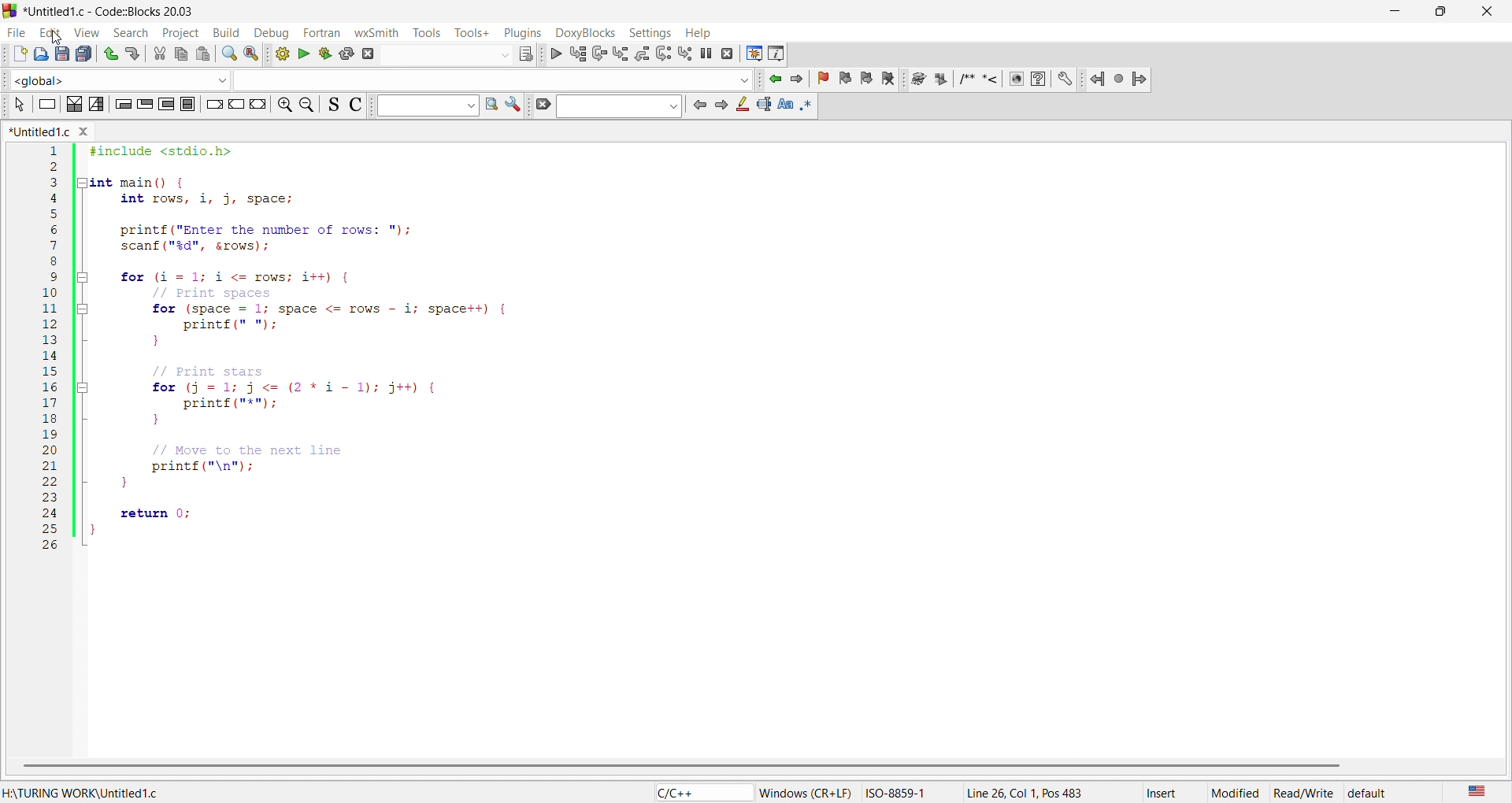  What do you see at coordinates (746, 766) in the screenshot?
I see `scroll bar` at bounding box center [746, 766].